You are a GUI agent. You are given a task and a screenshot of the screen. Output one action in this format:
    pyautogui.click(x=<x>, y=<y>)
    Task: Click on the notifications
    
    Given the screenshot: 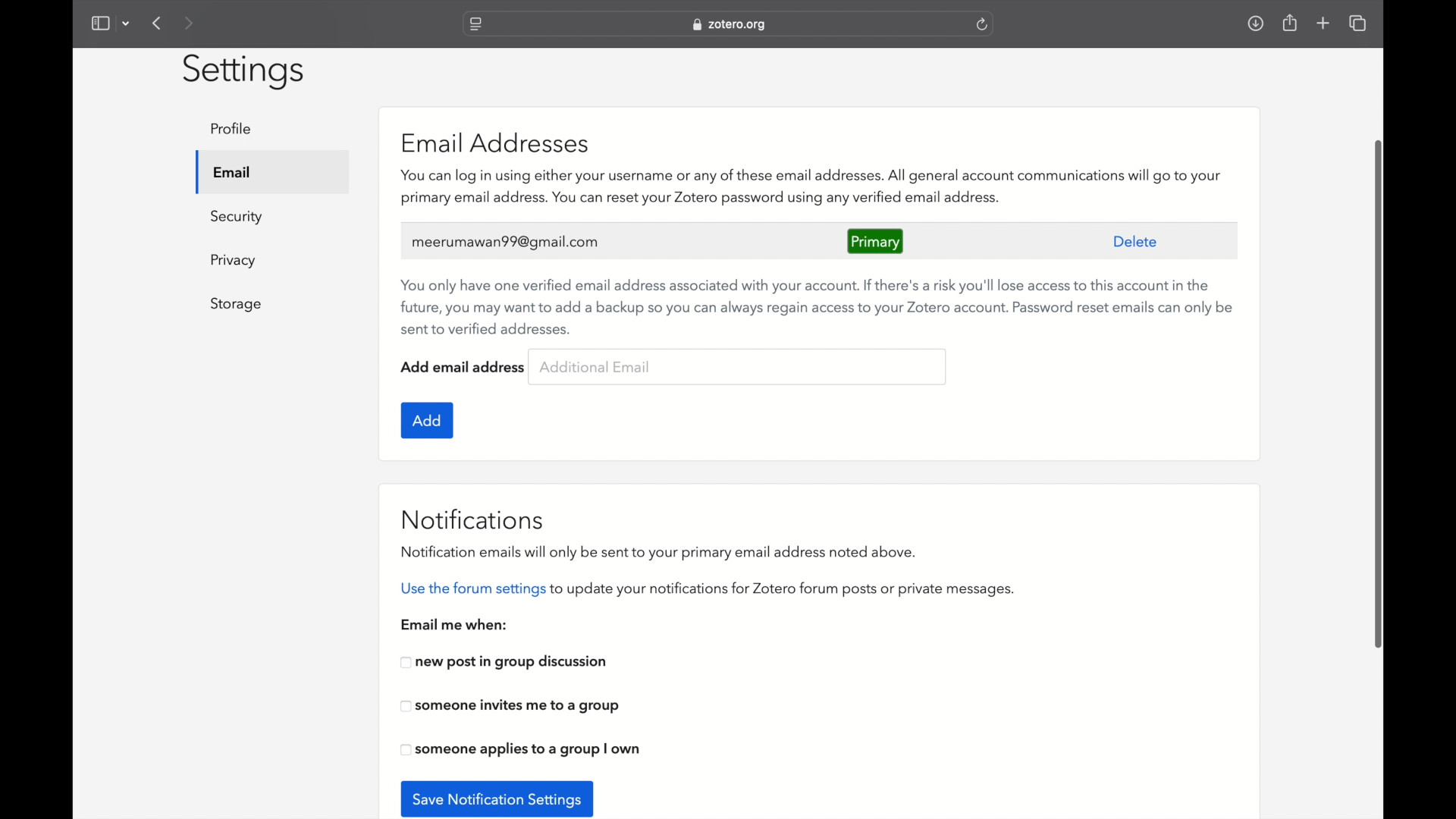 What is the action you would take?
    pyautogui.click(x=473, y=519)
    